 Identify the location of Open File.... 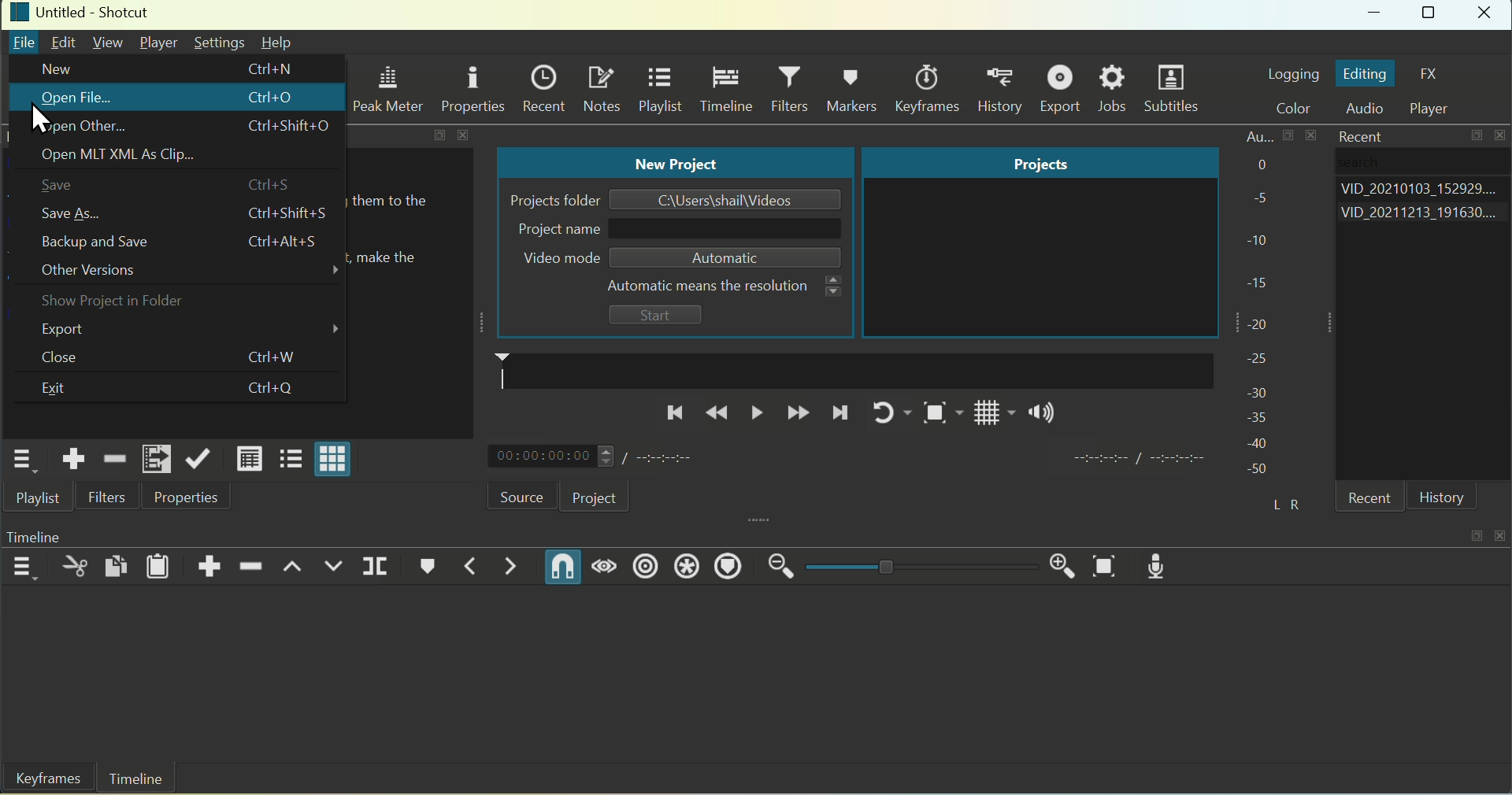
(75, 98).